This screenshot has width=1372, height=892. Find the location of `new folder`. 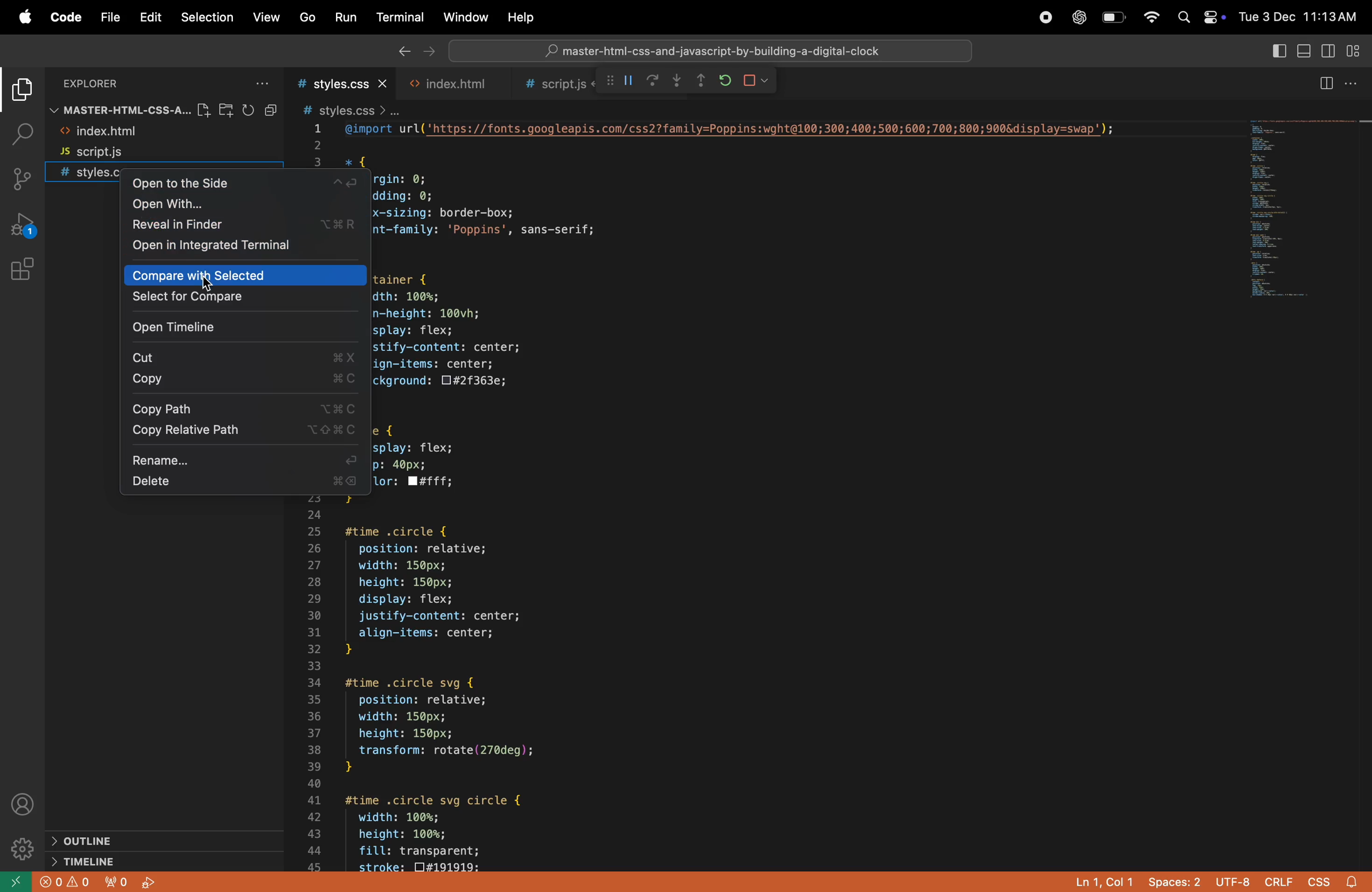

new folder is located at coordinates (228, 110).